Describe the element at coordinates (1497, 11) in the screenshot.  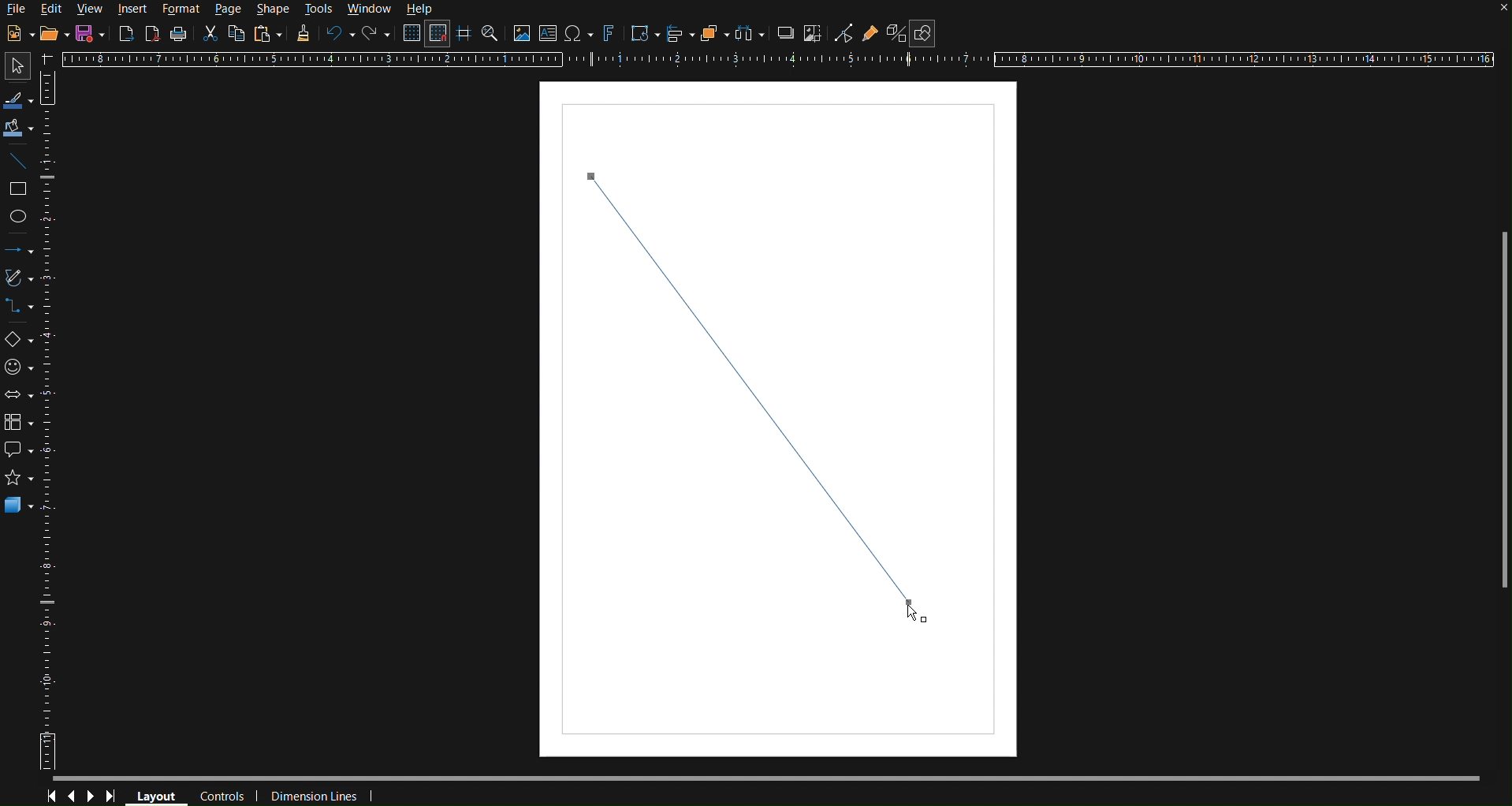
I see `close` at that location.